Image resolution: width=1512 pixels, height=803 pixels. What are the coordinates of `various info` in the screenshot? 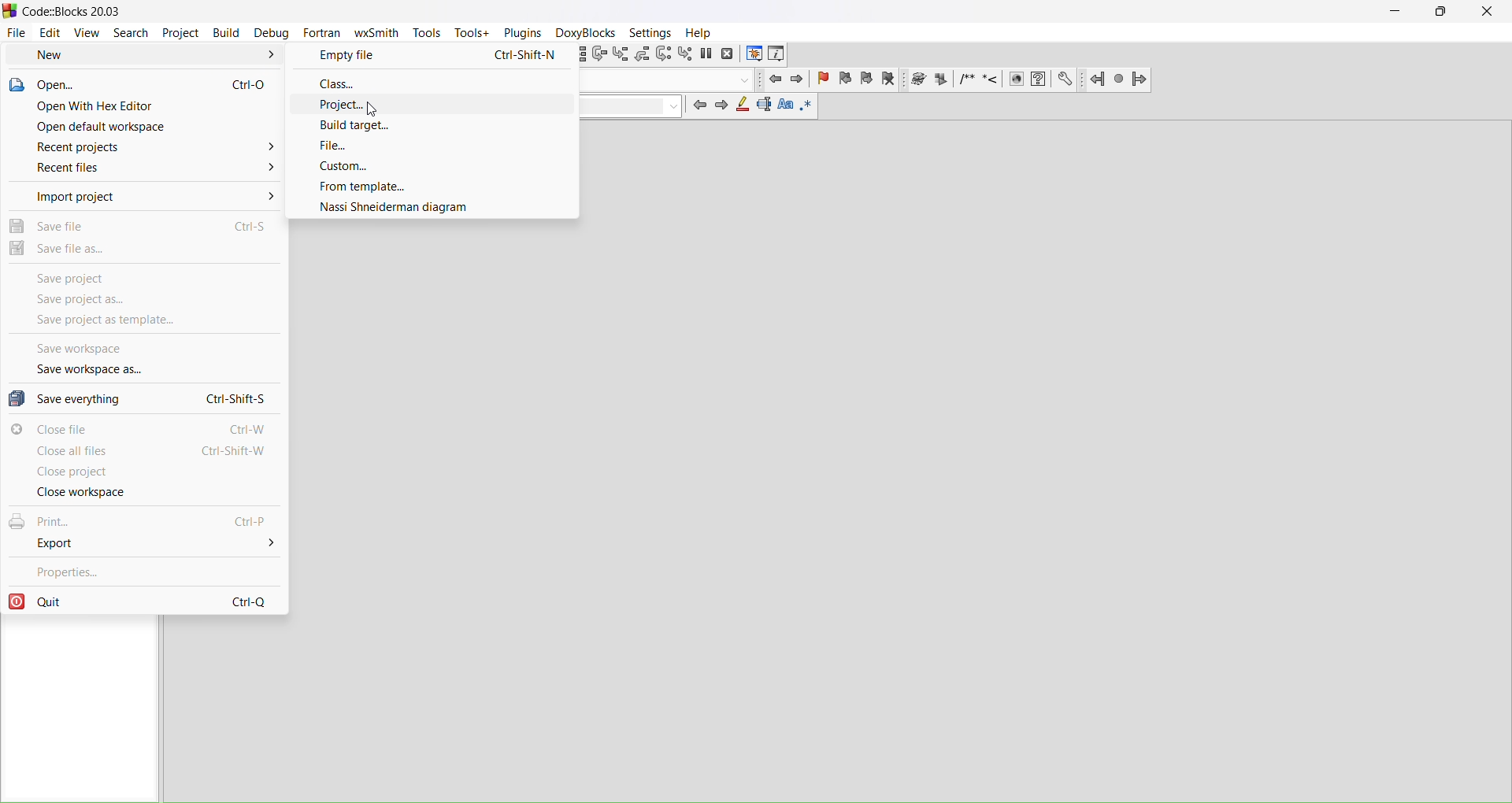 It's located at (780, 54).